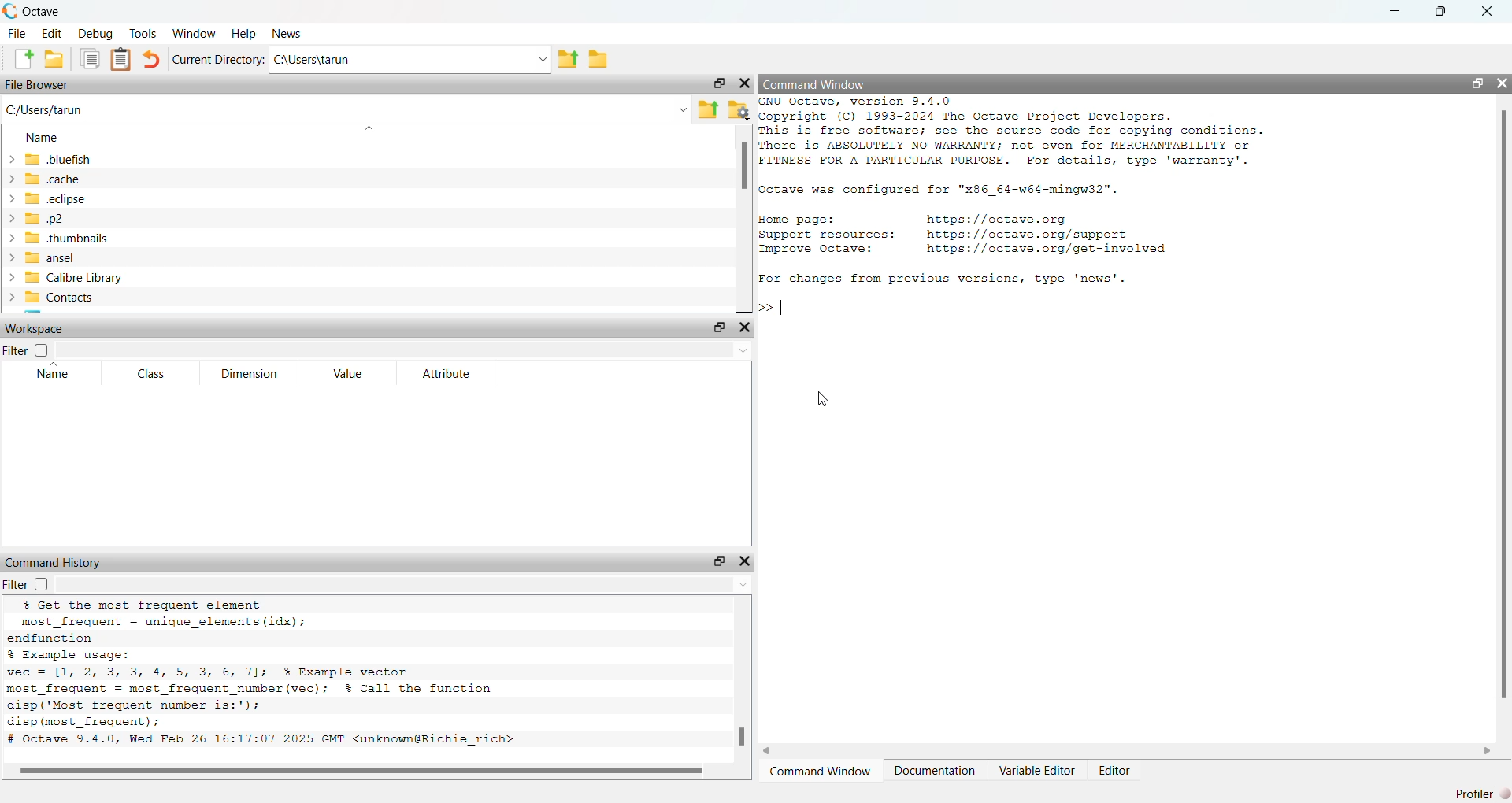  What do you see at coordinates (402, 350) in the screenshot?
I see `Enter text to filter the workspace` at bounding box center [402, 350].